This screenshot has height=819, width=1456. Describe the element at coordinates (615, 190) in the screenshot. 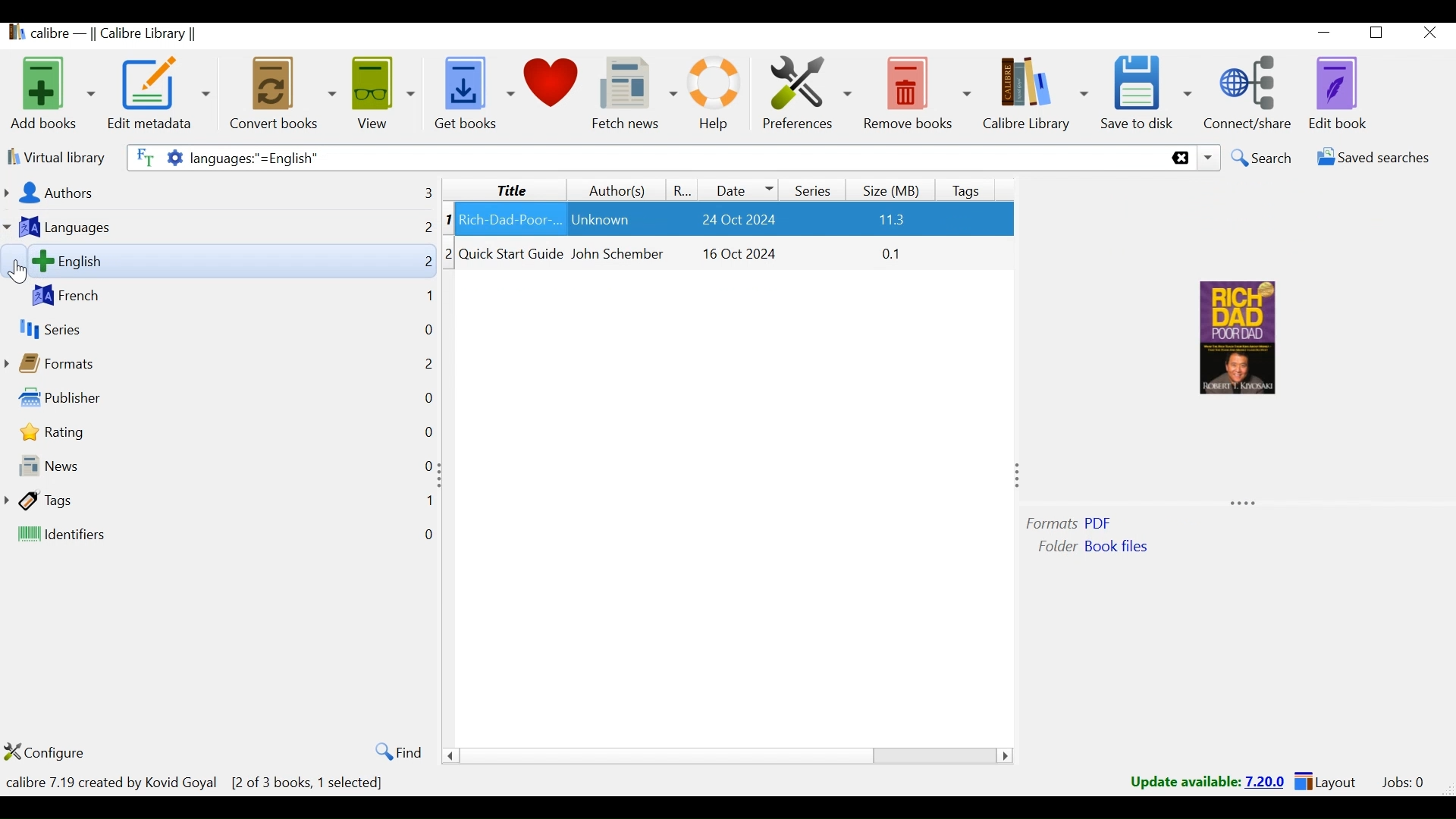

I see `Authors` at that location.